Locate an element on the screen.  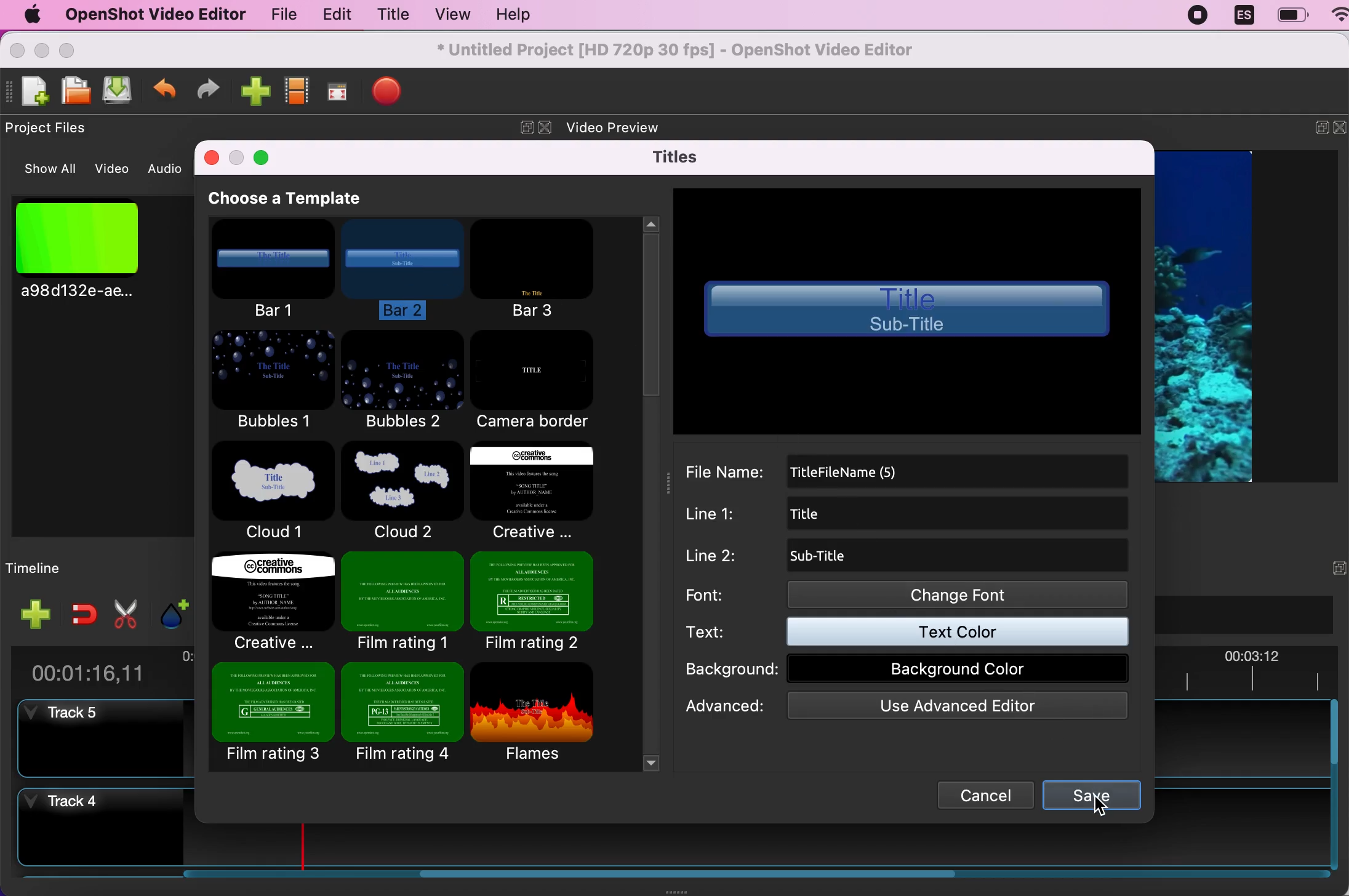
bar 2 is located at coordinates (407, 267).